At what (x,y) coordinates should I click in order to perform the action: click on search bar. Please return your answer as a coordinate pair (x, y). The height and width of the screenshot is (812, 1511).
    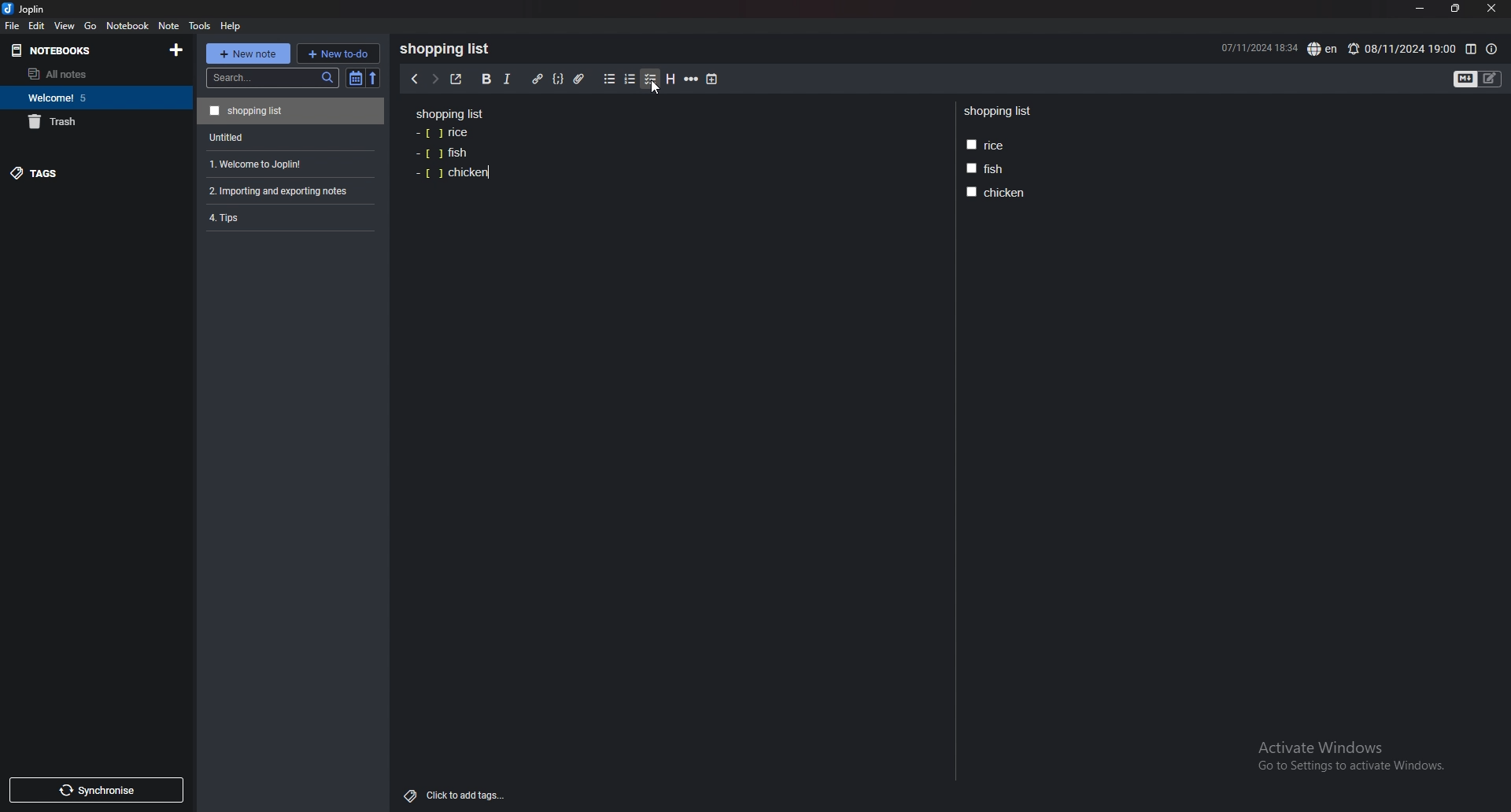
    Looking at the image, I should click on (272, 78).